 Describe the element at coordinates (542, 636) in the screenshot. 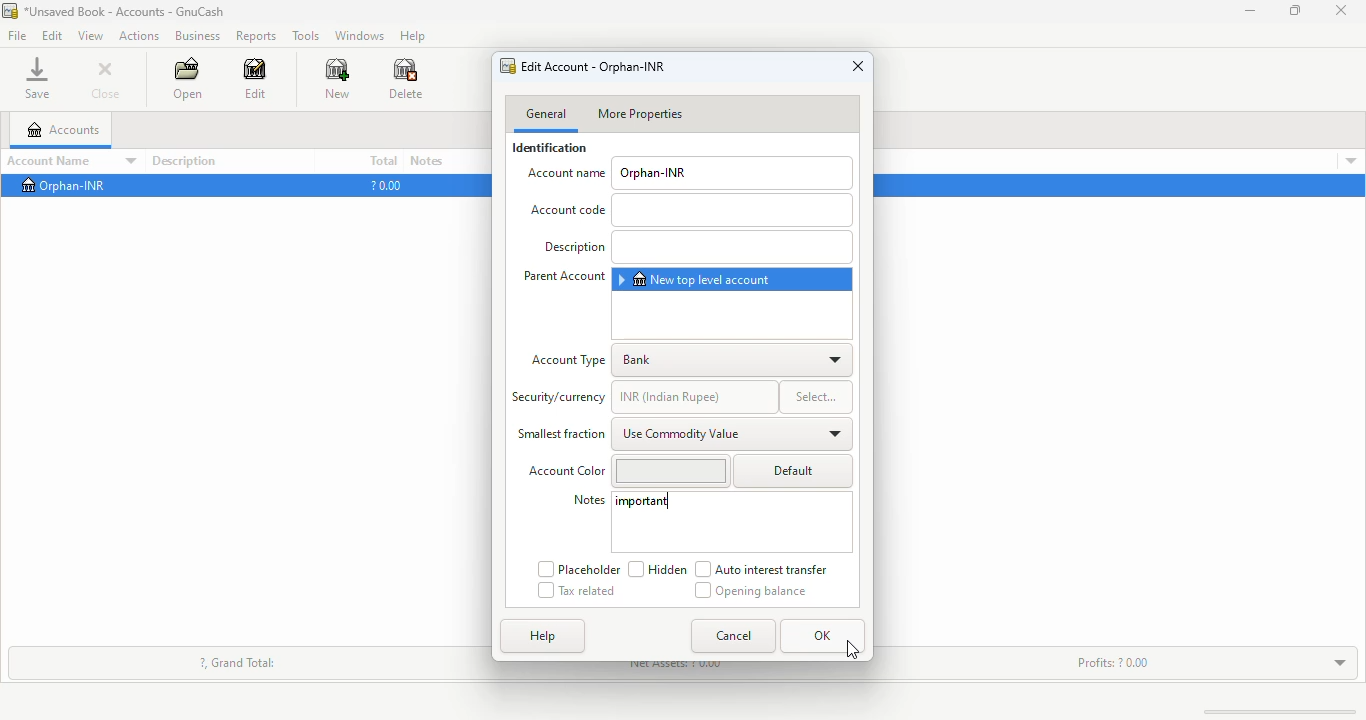

I see `help` at that location.